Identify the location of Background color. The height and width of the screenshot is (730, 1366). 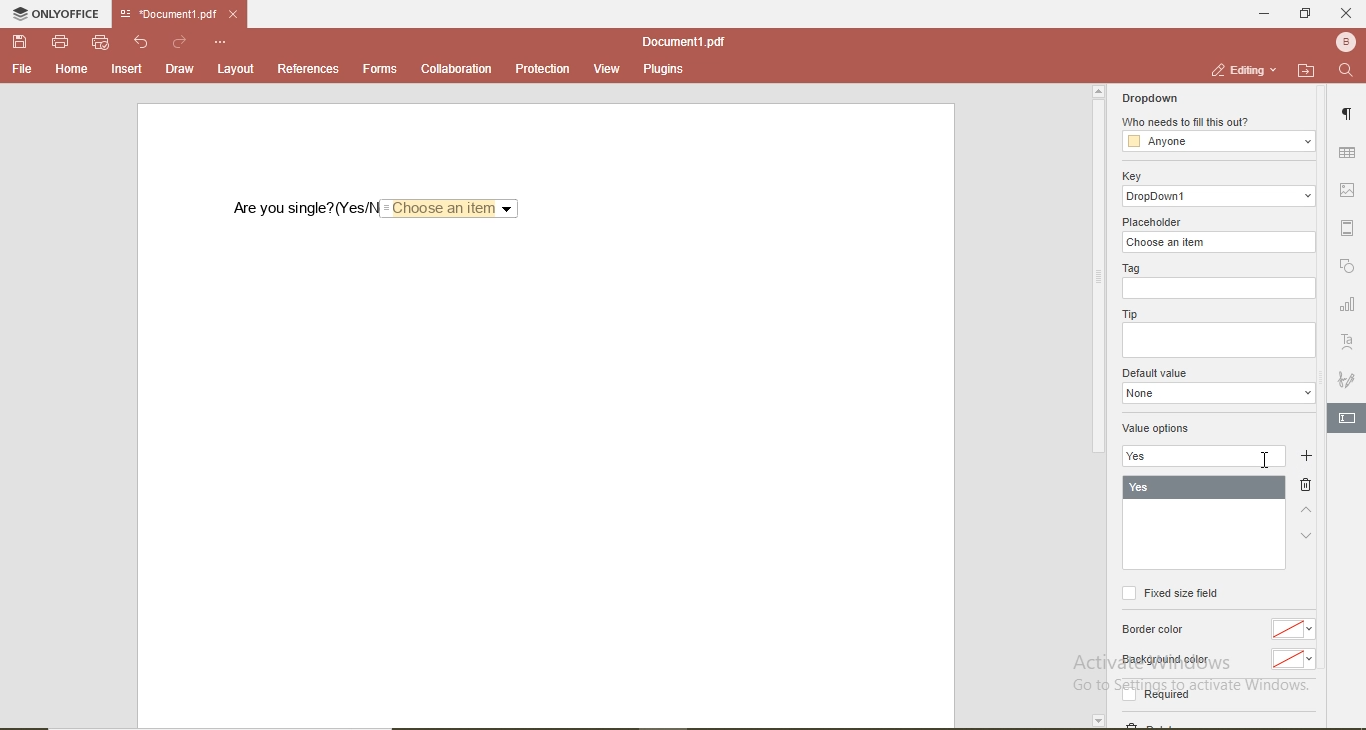
(1163, 659).